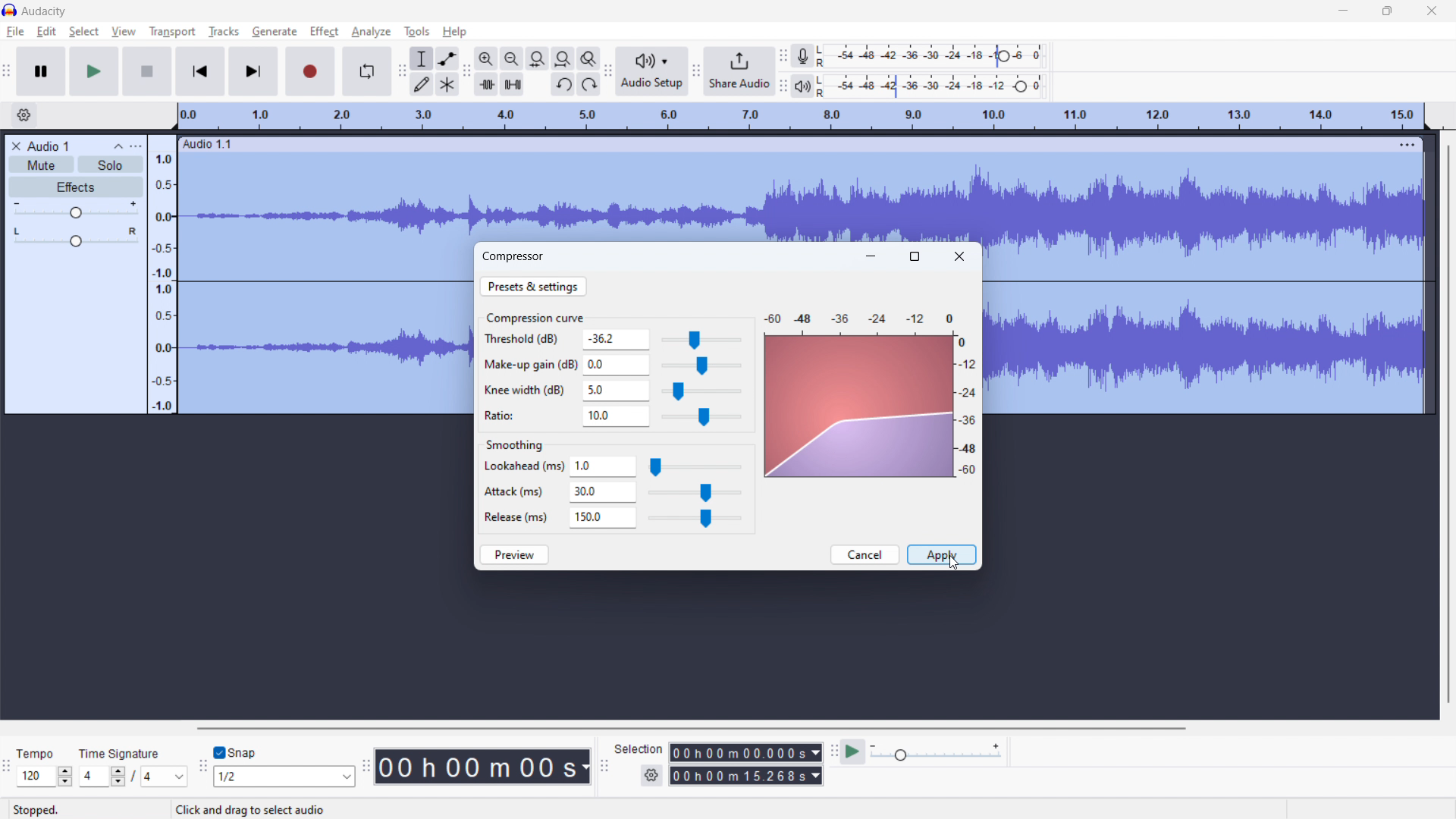 The image size is (1456, 819). Describe the element at coordinates (311, 71) in the screenshot. I see `record` at that location.